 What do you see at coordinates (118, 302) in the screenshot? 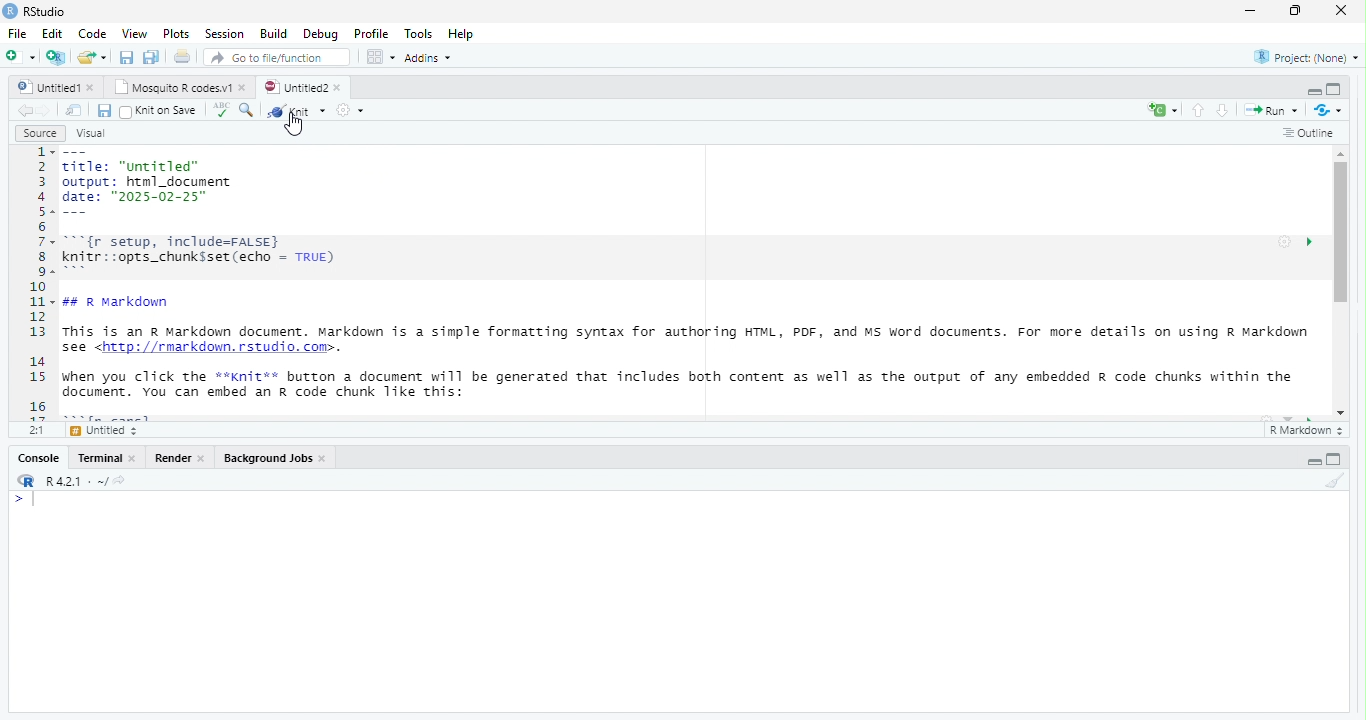
I see `## rR Markdown` at bounding box center [118, 302].